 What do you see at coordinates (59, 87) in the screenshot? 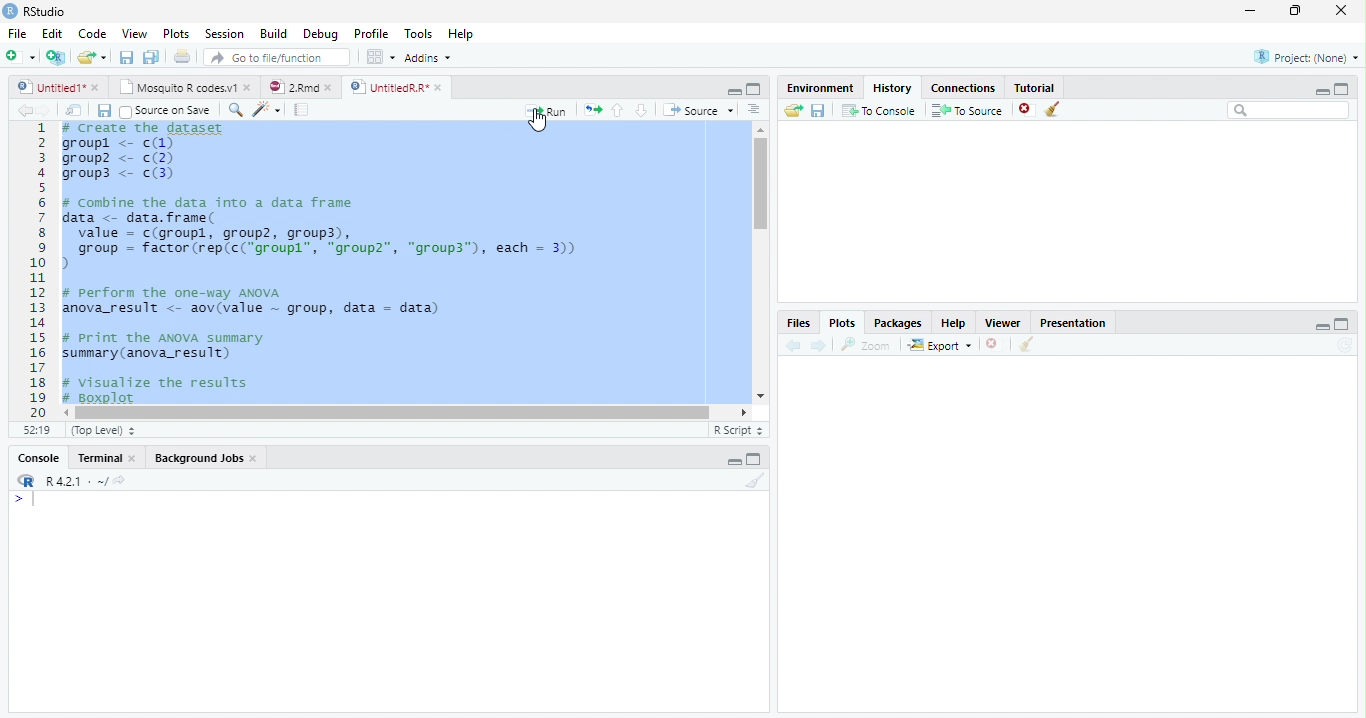
I see `Untitled` at bounding box center [59, 87].